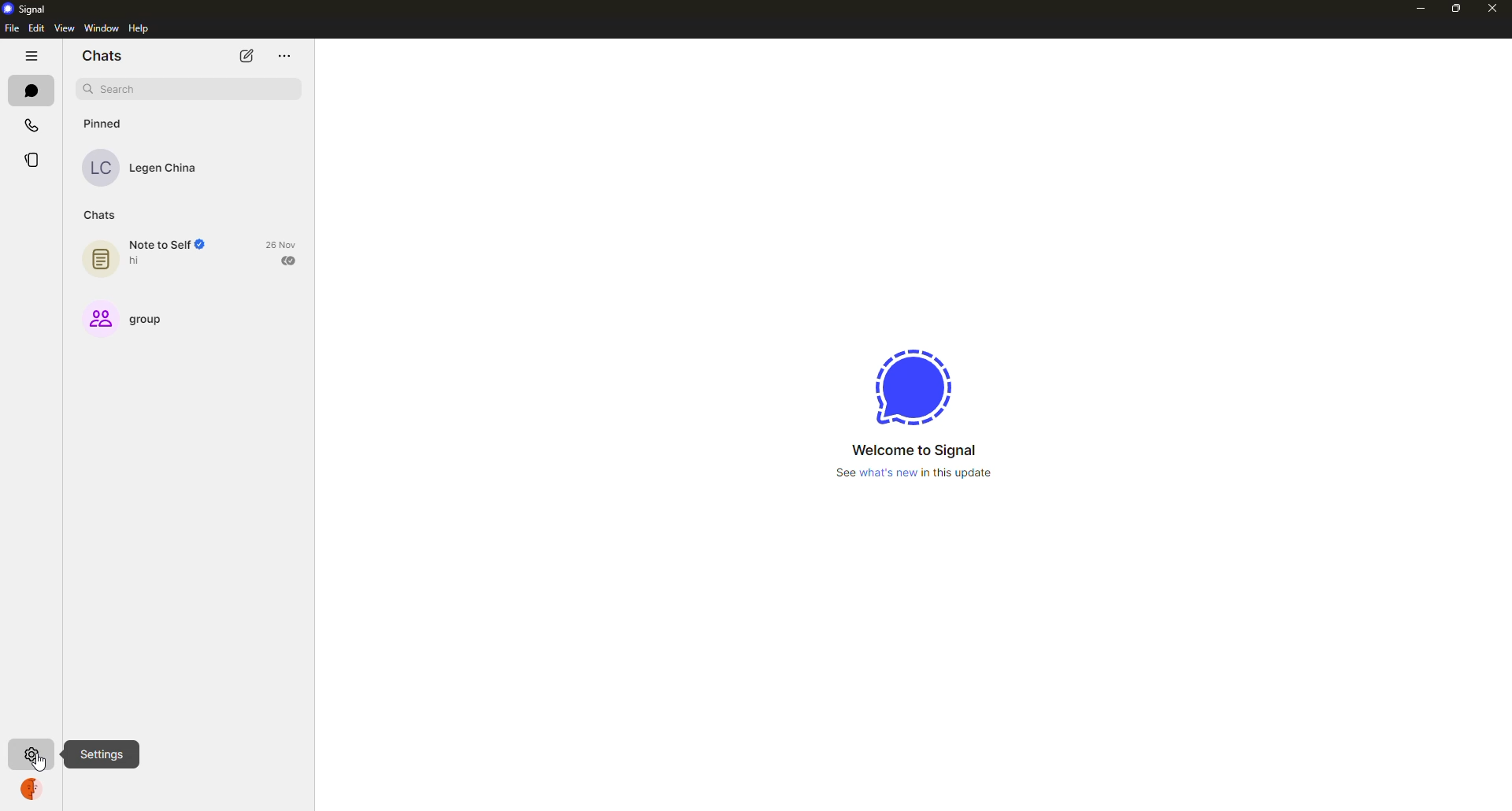 The image size is (1512, 811). Describe the element at coordinates (36, 160) in the screenshot. I see `stories` at that location.